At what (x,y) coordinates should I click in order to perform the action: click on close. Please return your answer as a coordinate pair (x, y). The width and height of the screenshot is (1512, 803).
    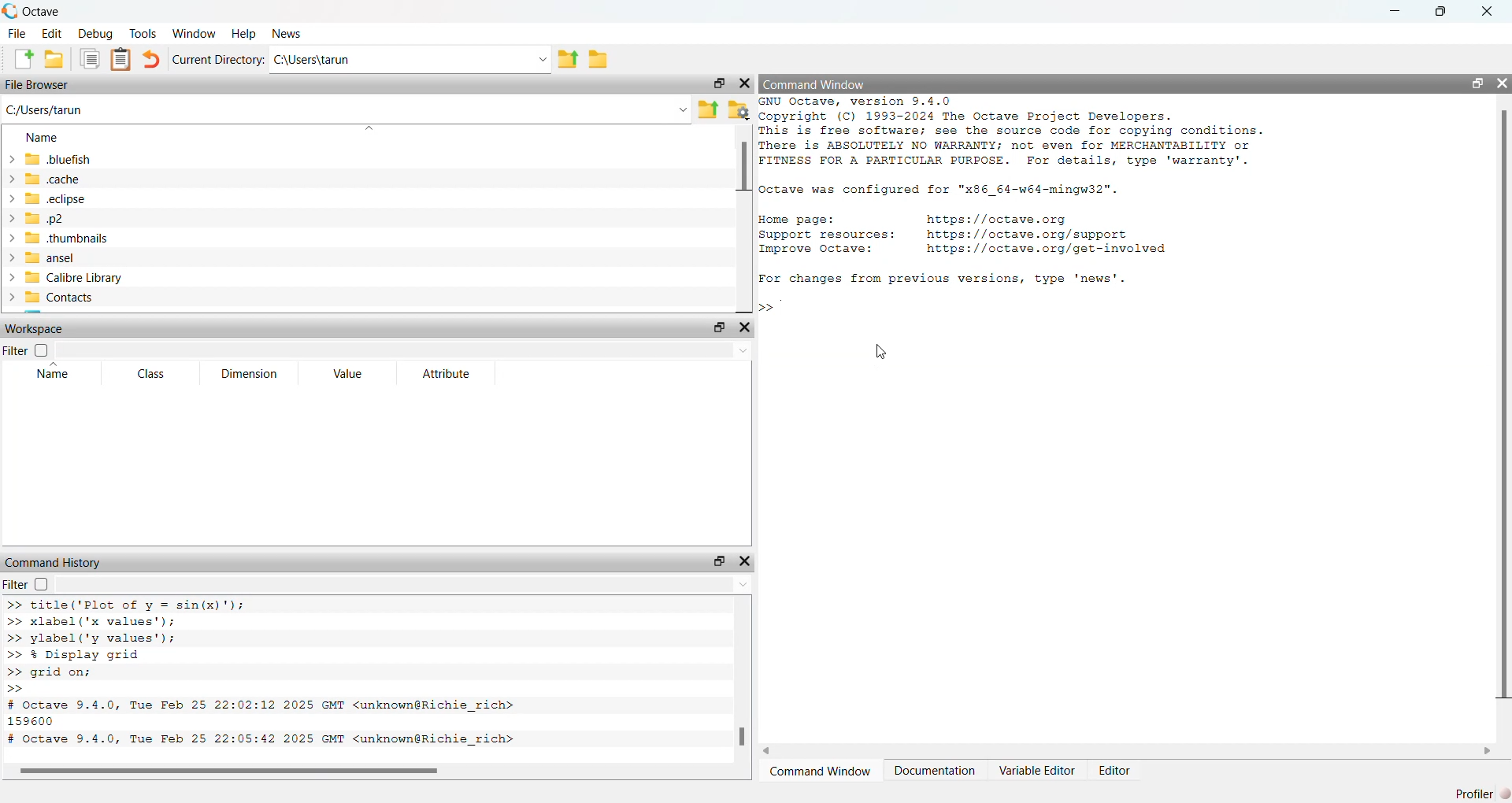
    Looking at the image, I should click on (745, 83).